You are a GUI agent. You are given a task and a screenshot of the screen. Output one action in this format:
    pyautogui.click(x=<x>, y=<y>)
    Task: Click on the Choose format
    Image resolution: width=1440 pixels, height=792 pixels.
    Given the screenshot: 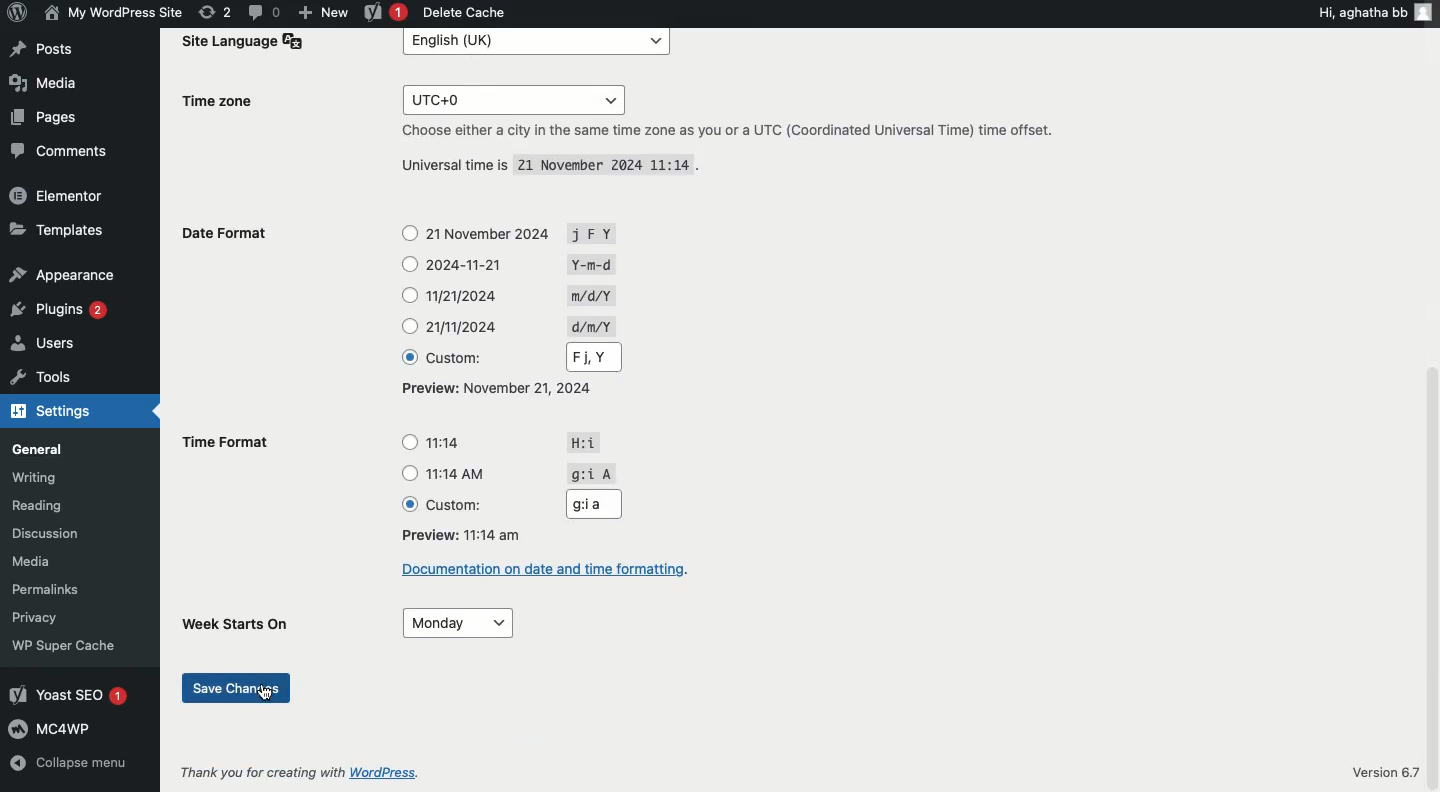 What is the action you would take?
    pyautogui.click(x=409, y=469)
    